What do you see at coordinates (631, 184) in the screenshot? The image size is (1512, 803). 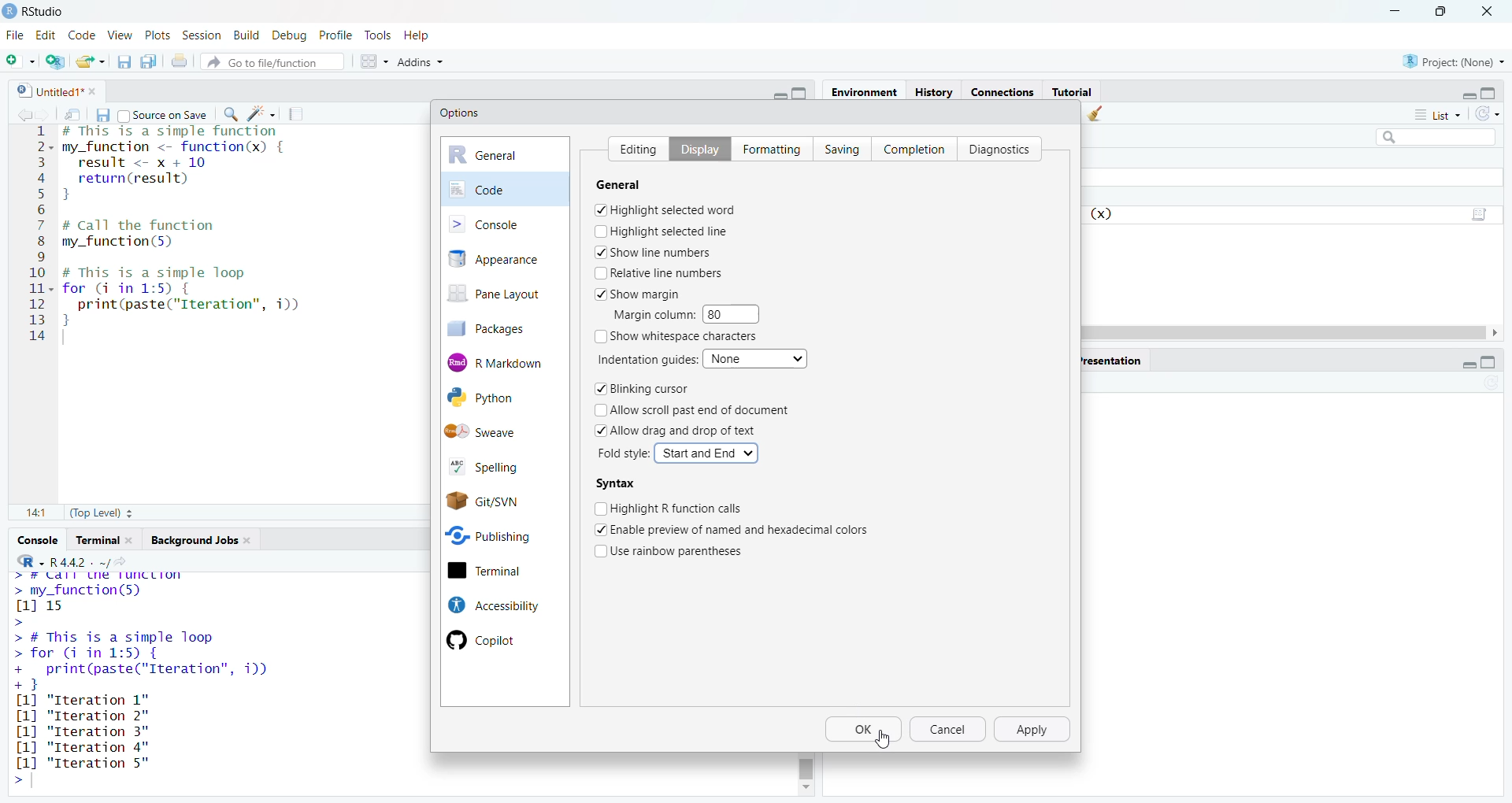 I see `General` at bounding box center [631, 184].